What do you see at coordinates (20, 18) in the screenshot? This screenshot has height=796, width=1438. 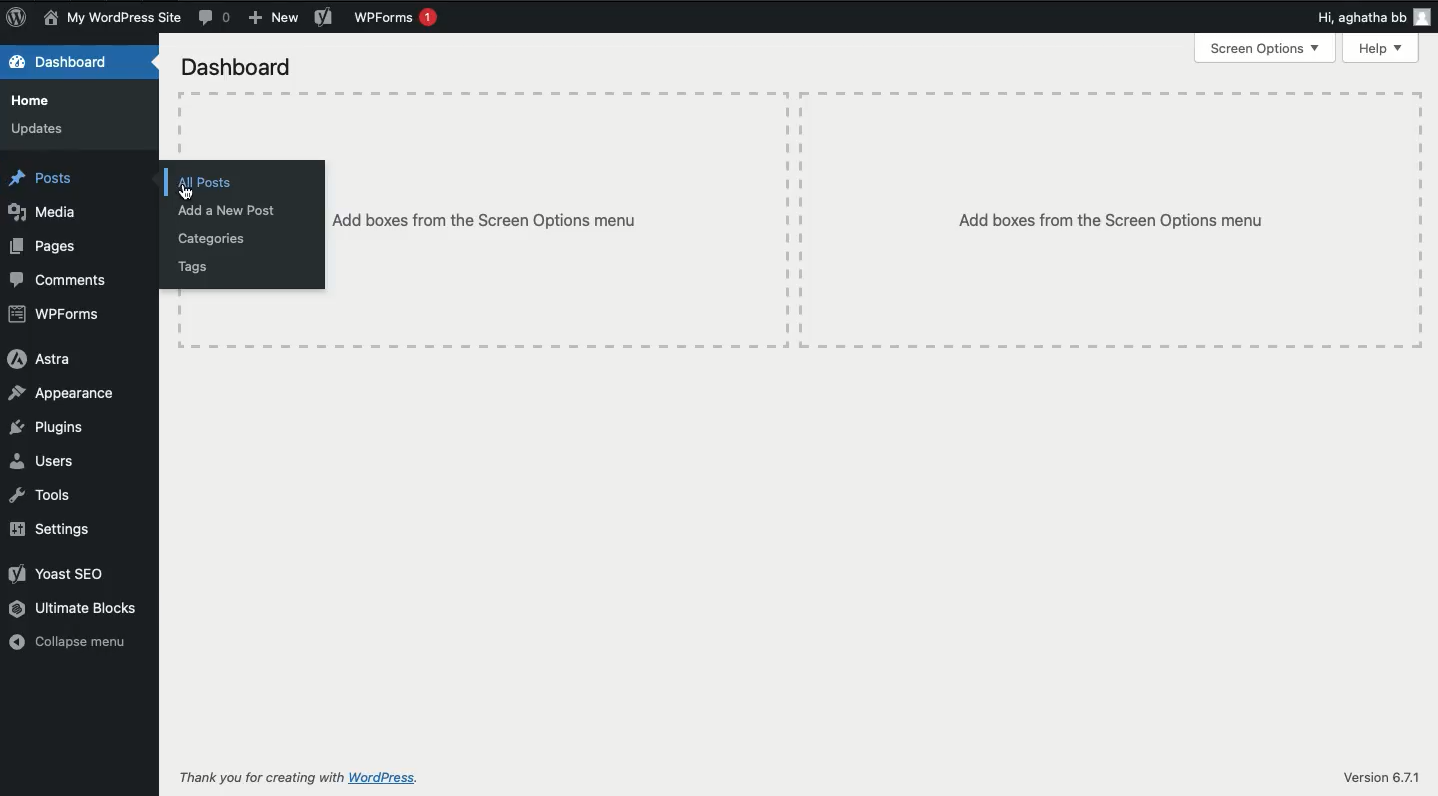 I see `Logo` at bounding box center [20, 18].